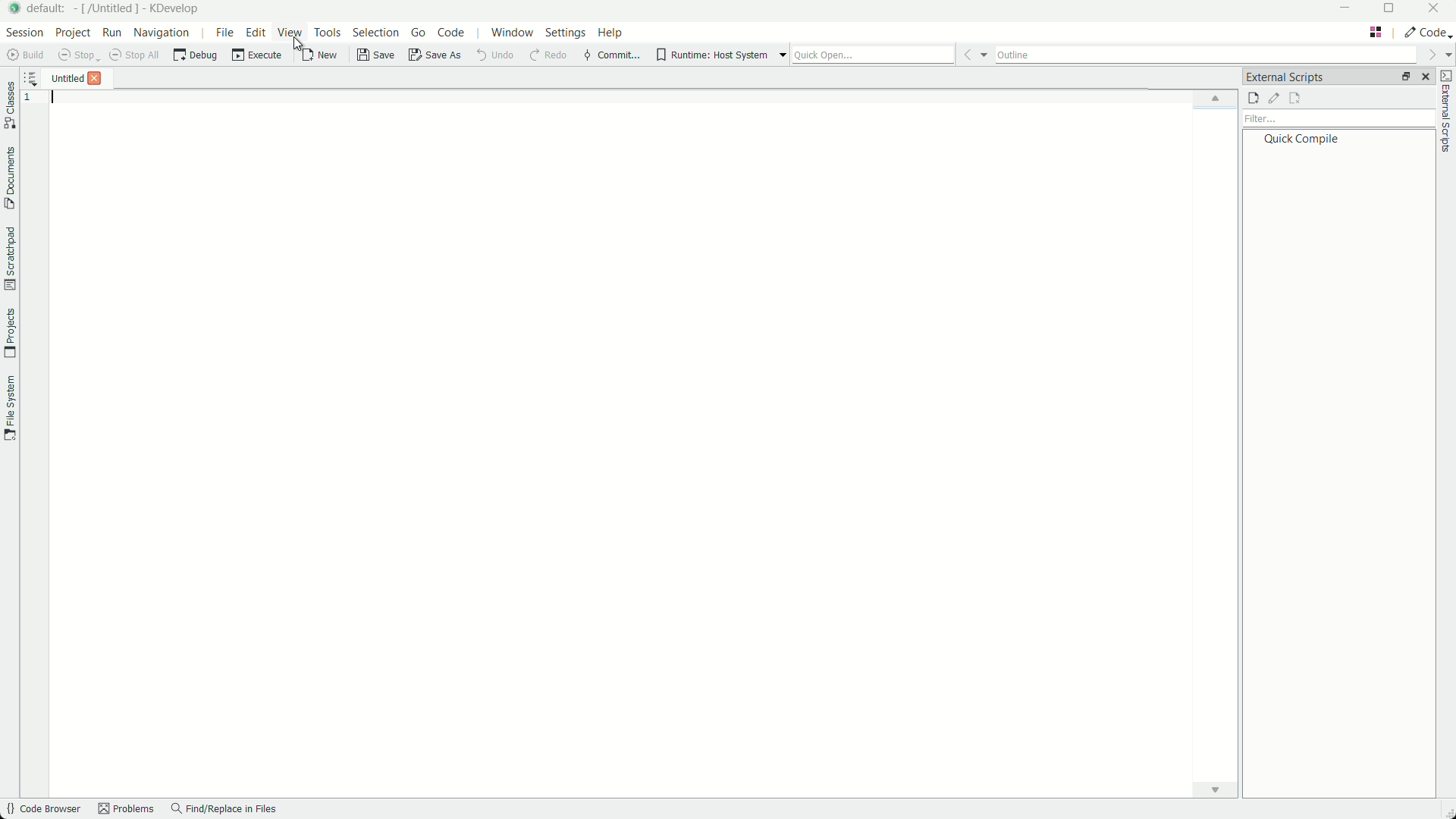  What do you see at coordinates (1294, 99) in the screenshot?
I see `remove external scripts` at bounding box center [1294, 99].